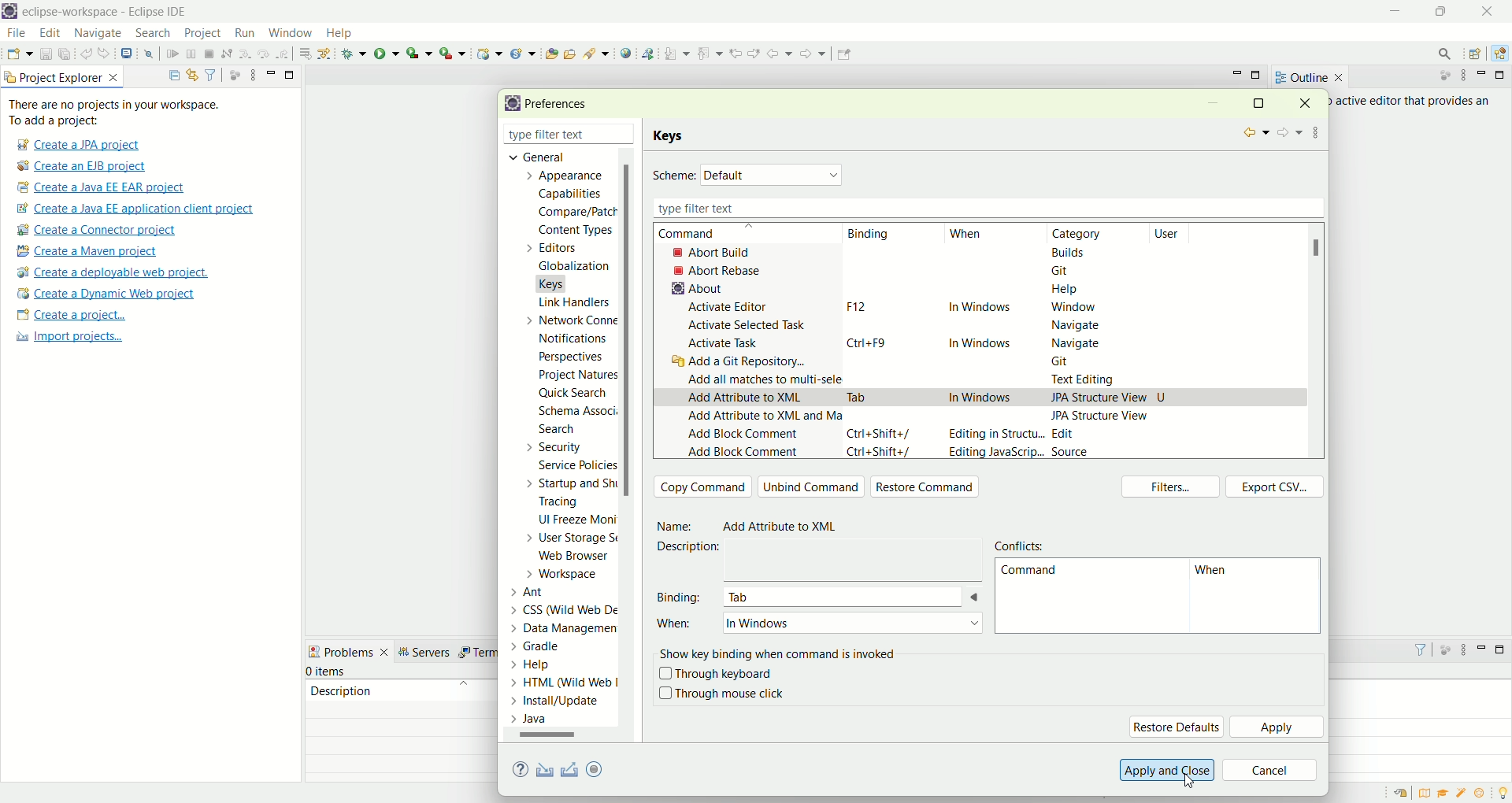  I want to click on suspend, so click(191, 55).